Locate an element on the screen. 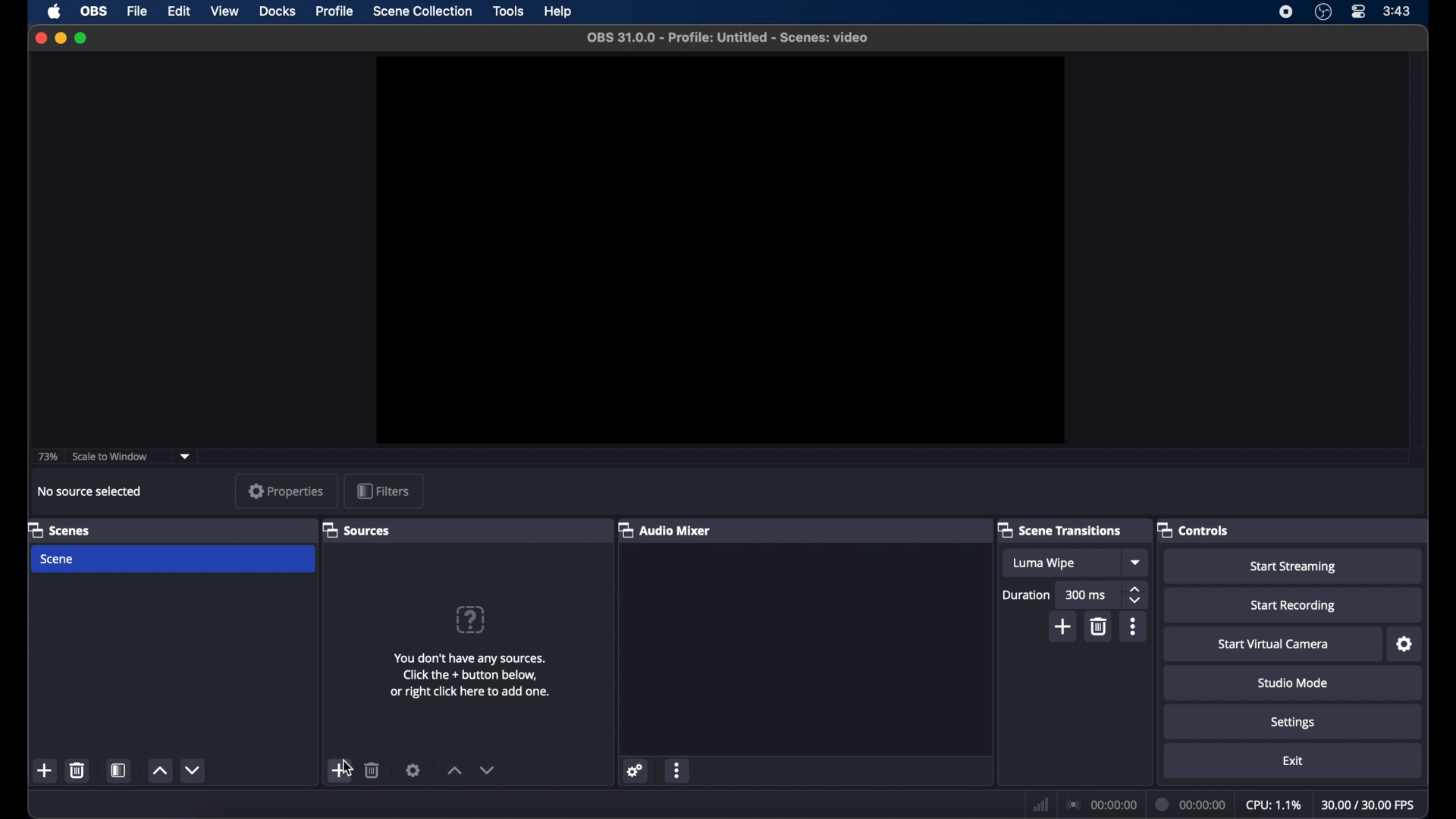 The image size is (1456, 819). view is located at coordinates (224, 10).